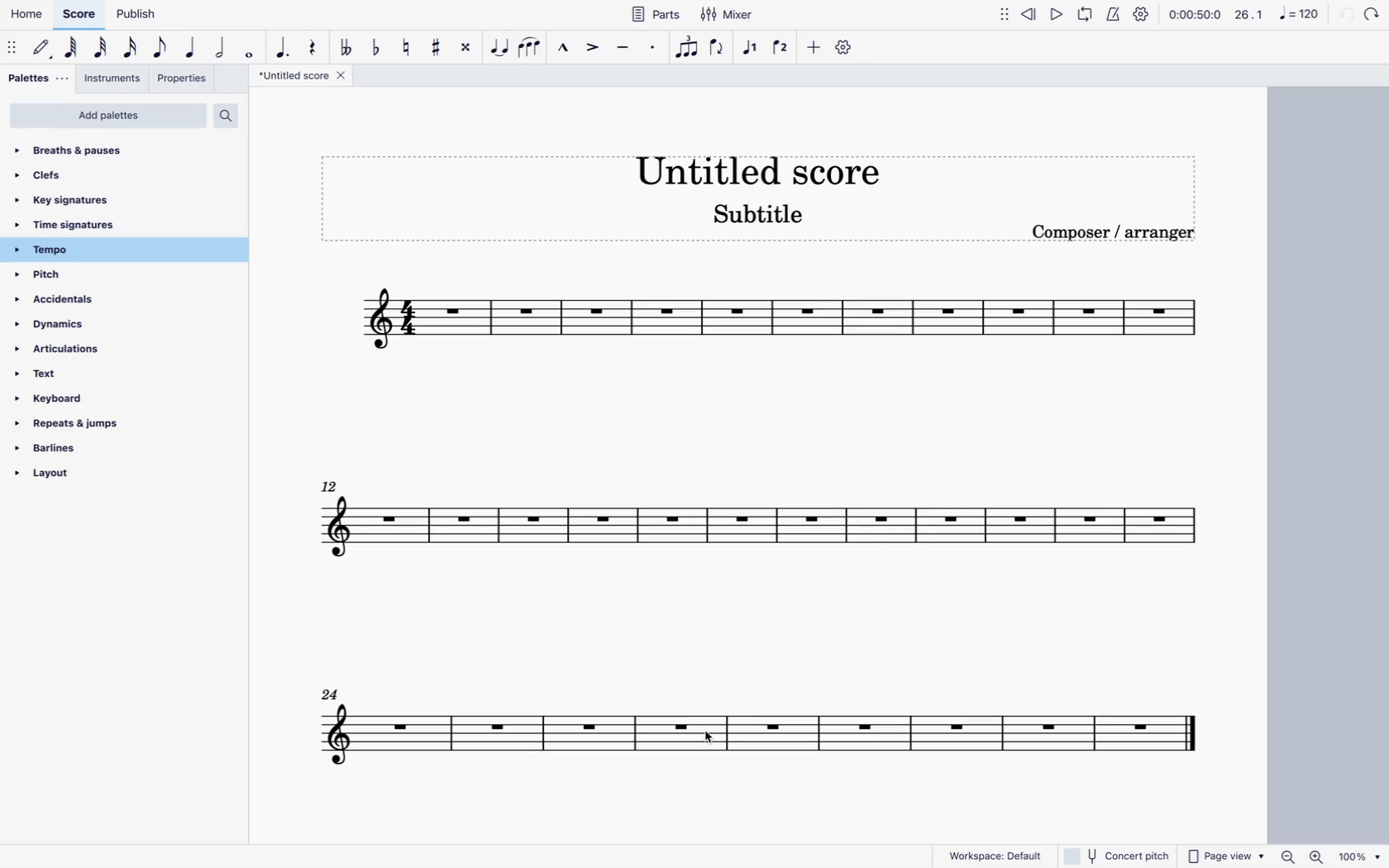 This screenshot has height=868, width=1389. What do you see at coordinates (65, 202) in the screenshot?
I see `key signatures` at bounding box center [65, 202].